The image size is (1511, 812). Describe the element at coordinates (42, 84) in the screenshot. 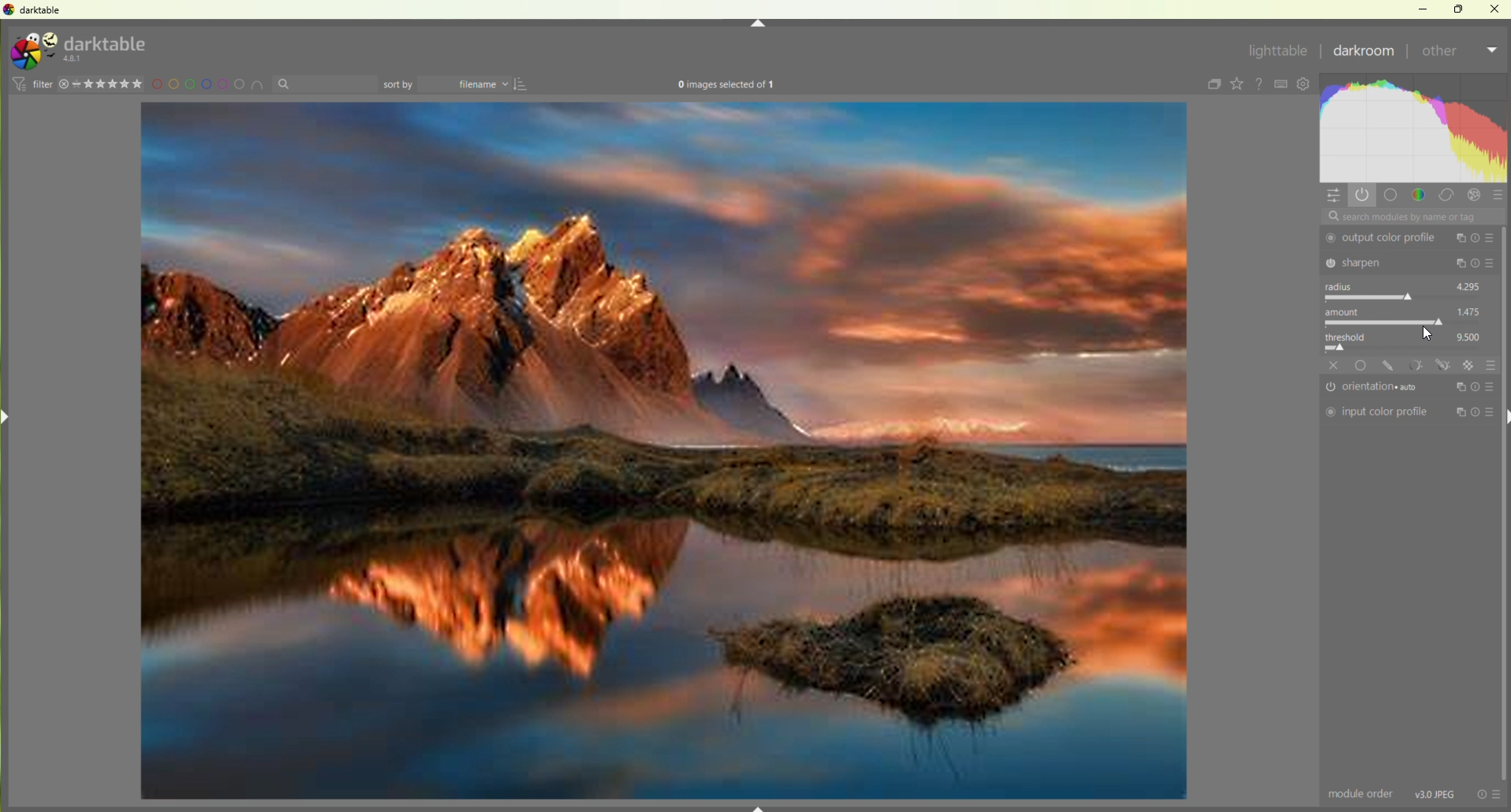

I see `filter` at that location.